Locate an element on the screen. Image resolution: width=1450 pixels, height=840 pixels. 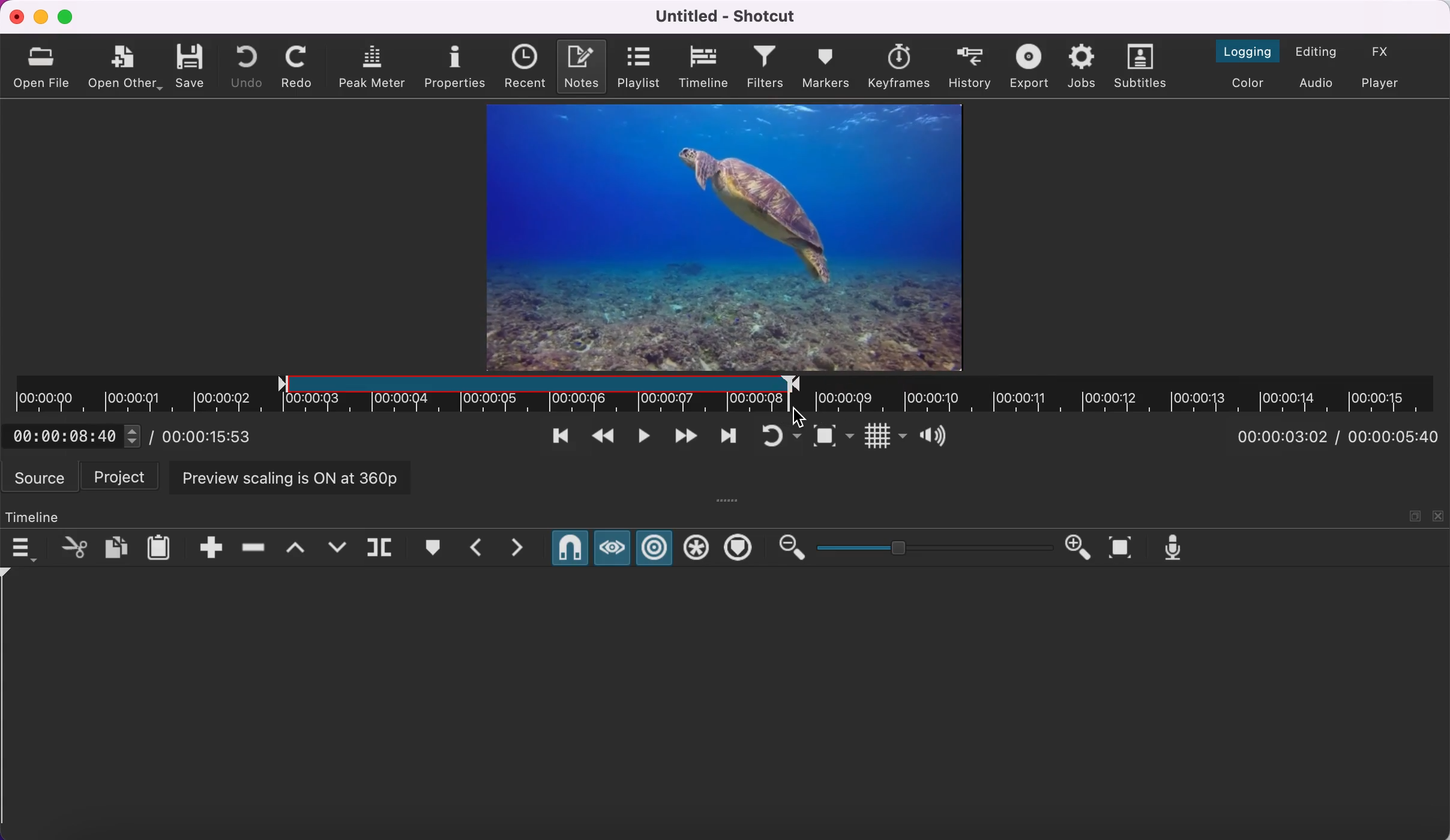
switch to the effects layout is located at coordinates (1384, 53).